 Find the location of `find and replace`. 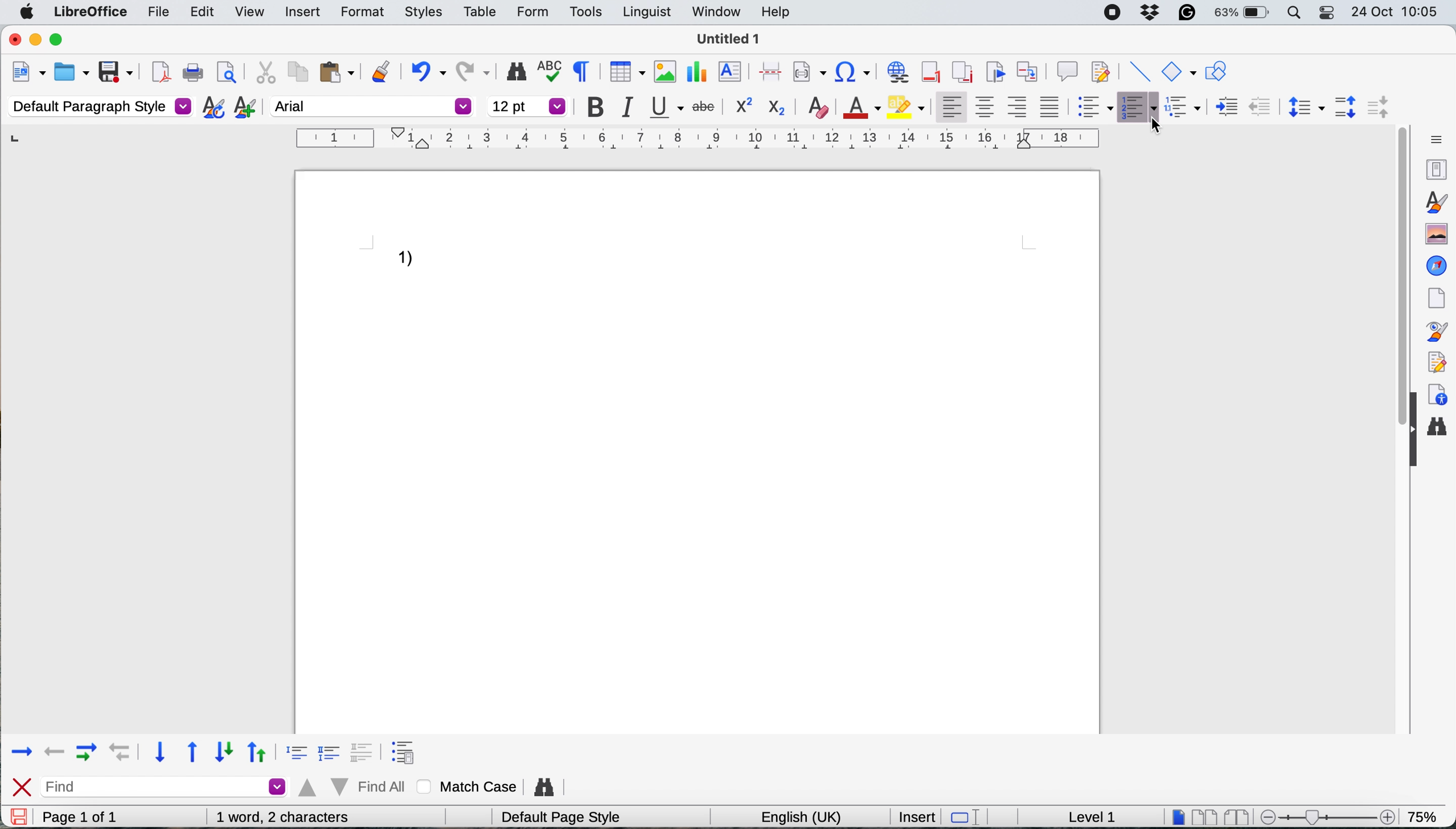

find and replace is located at coordinates (1439, 429).